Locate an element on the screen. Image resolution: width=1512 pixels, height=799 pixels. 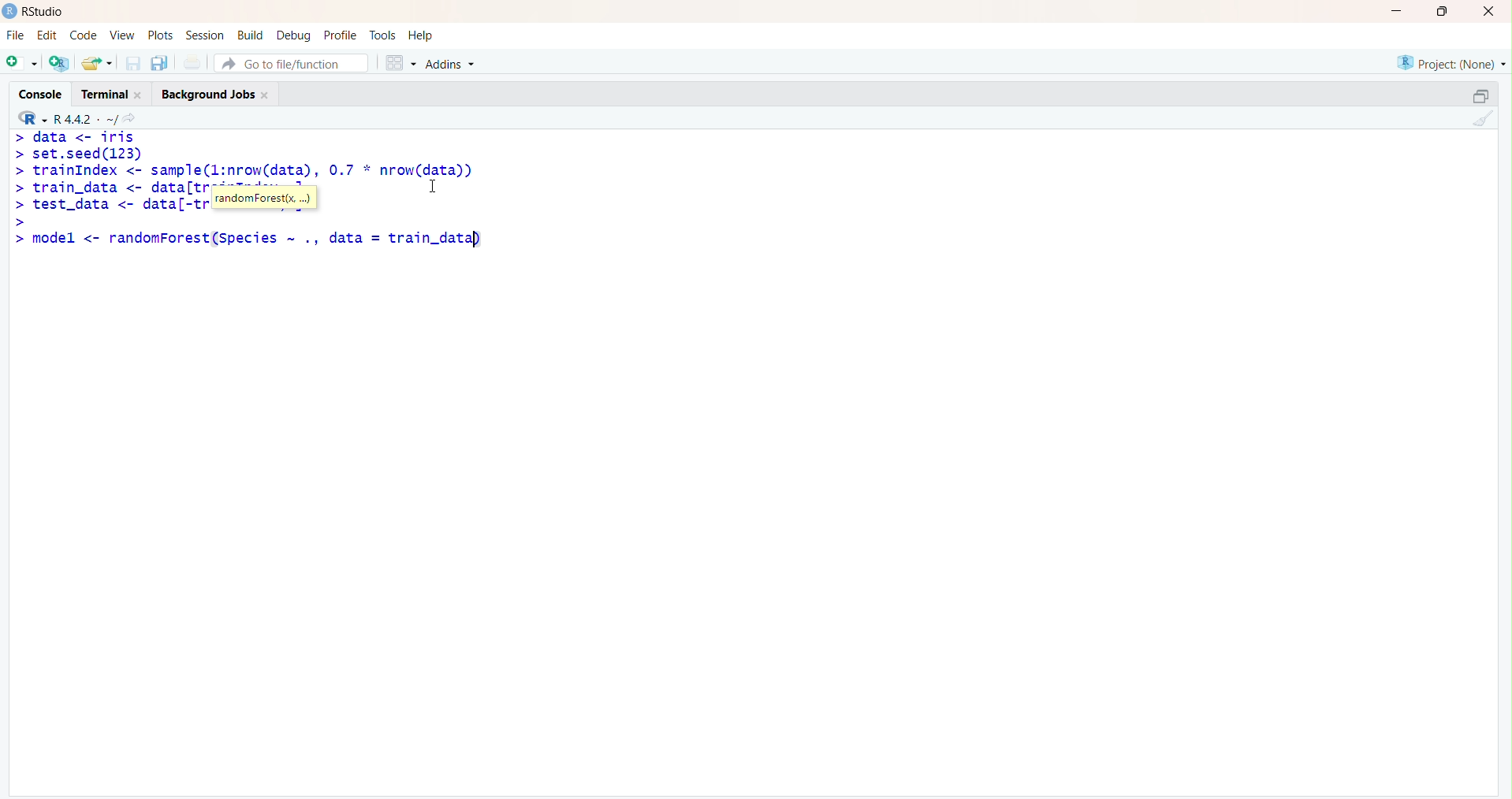
Help is located at coordinates (422, 36).